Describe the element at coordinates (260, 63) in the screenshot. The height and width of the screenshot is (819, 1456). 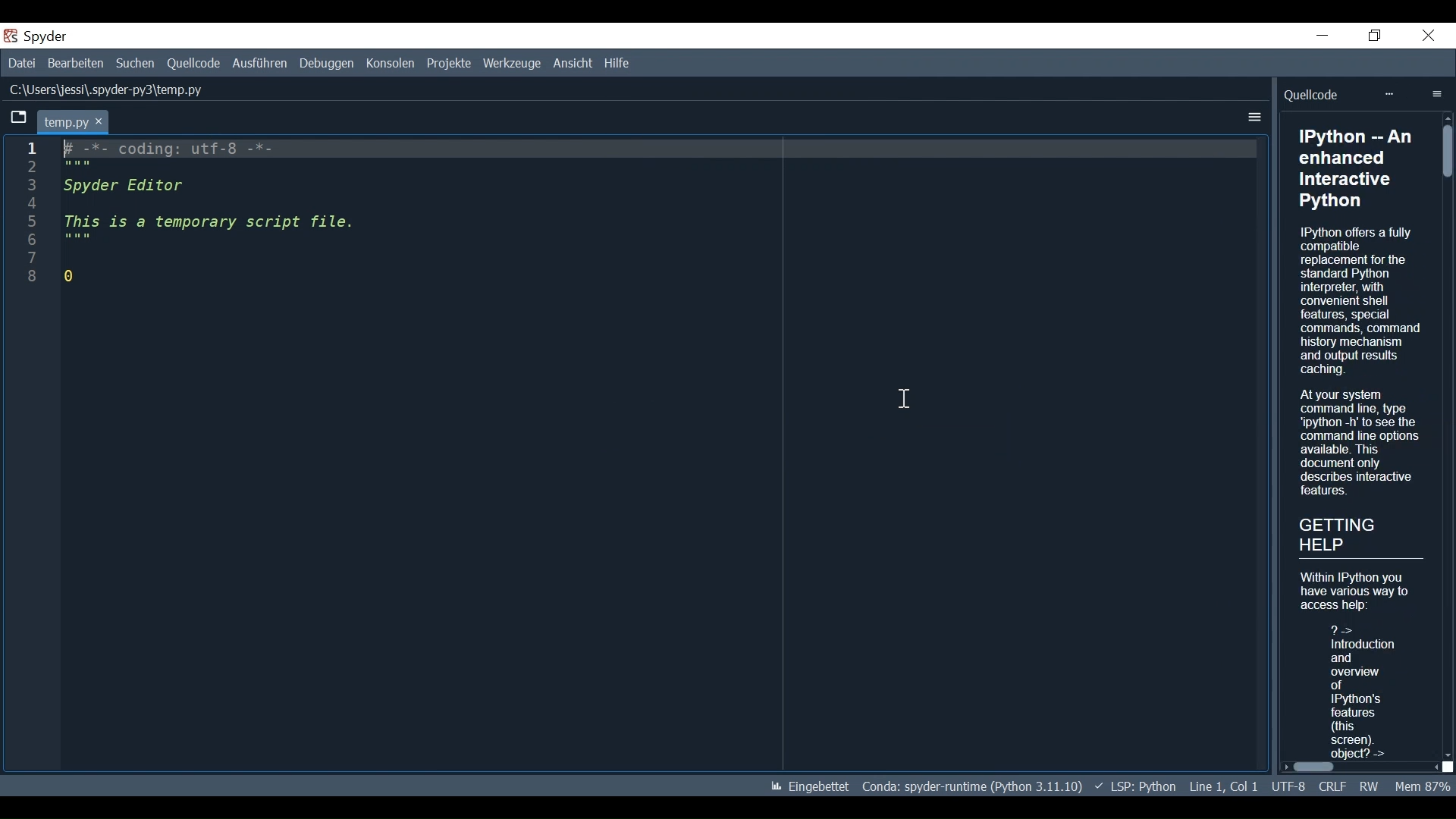
I see `Run` at that location.